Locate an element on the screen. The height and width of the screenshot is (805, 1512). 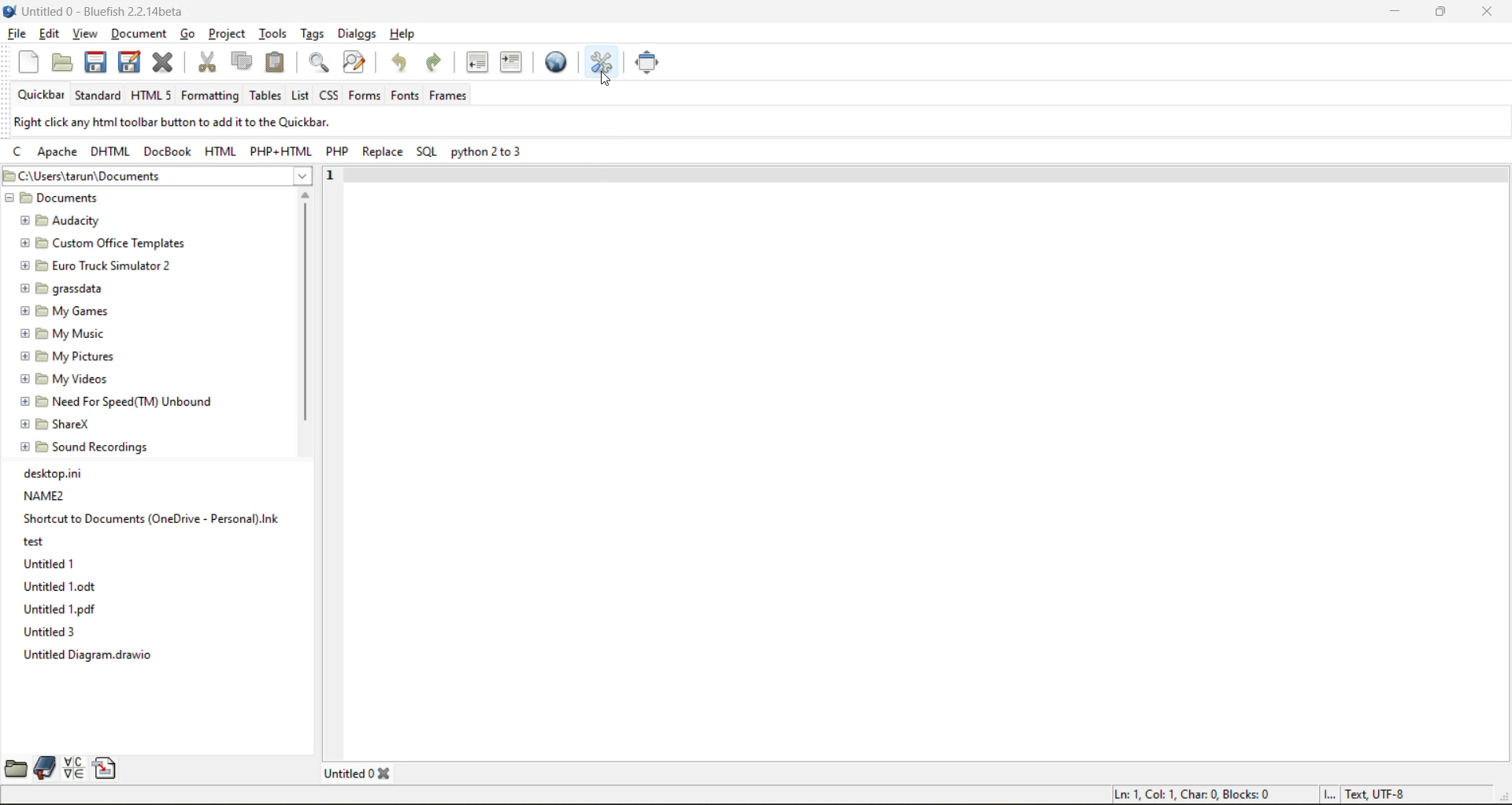
tags is located at coordinates (312, 34).